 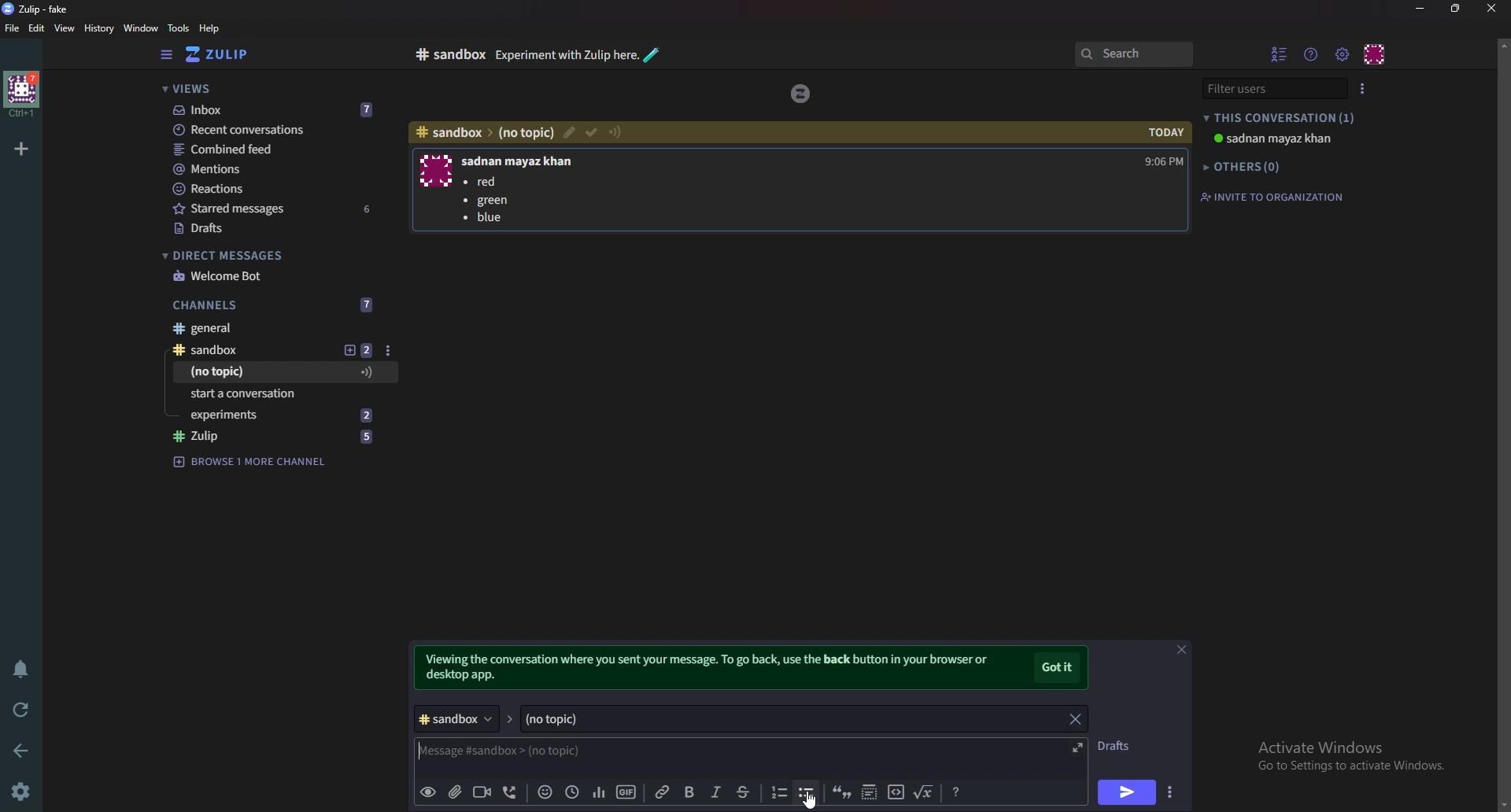 I want to click on Bullet list, so click(x=487, y=202).